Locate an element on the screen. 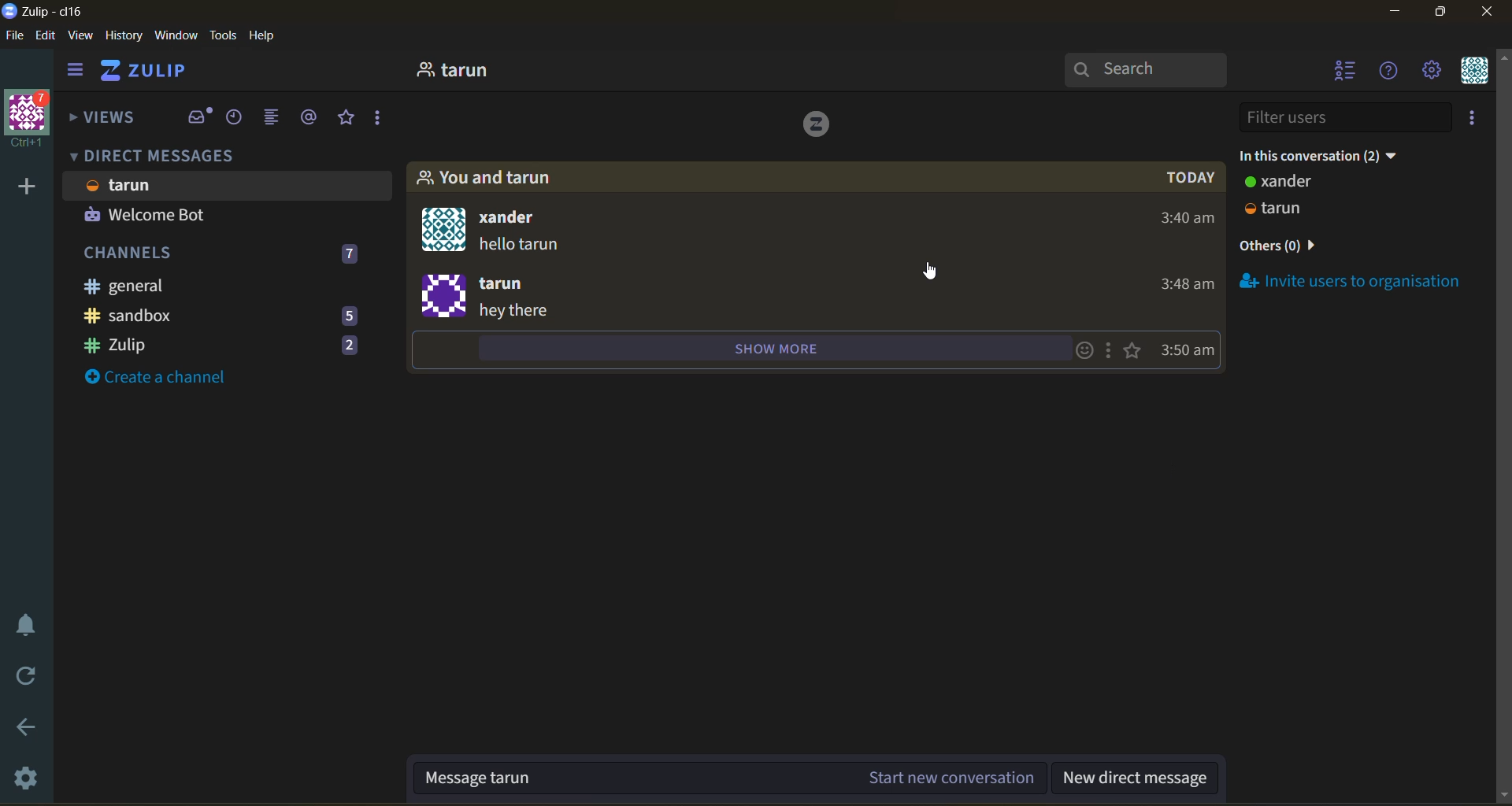 The width and height of the screenshot is (1512, 806). reactions and drafts is located at coordinates (383, 120).